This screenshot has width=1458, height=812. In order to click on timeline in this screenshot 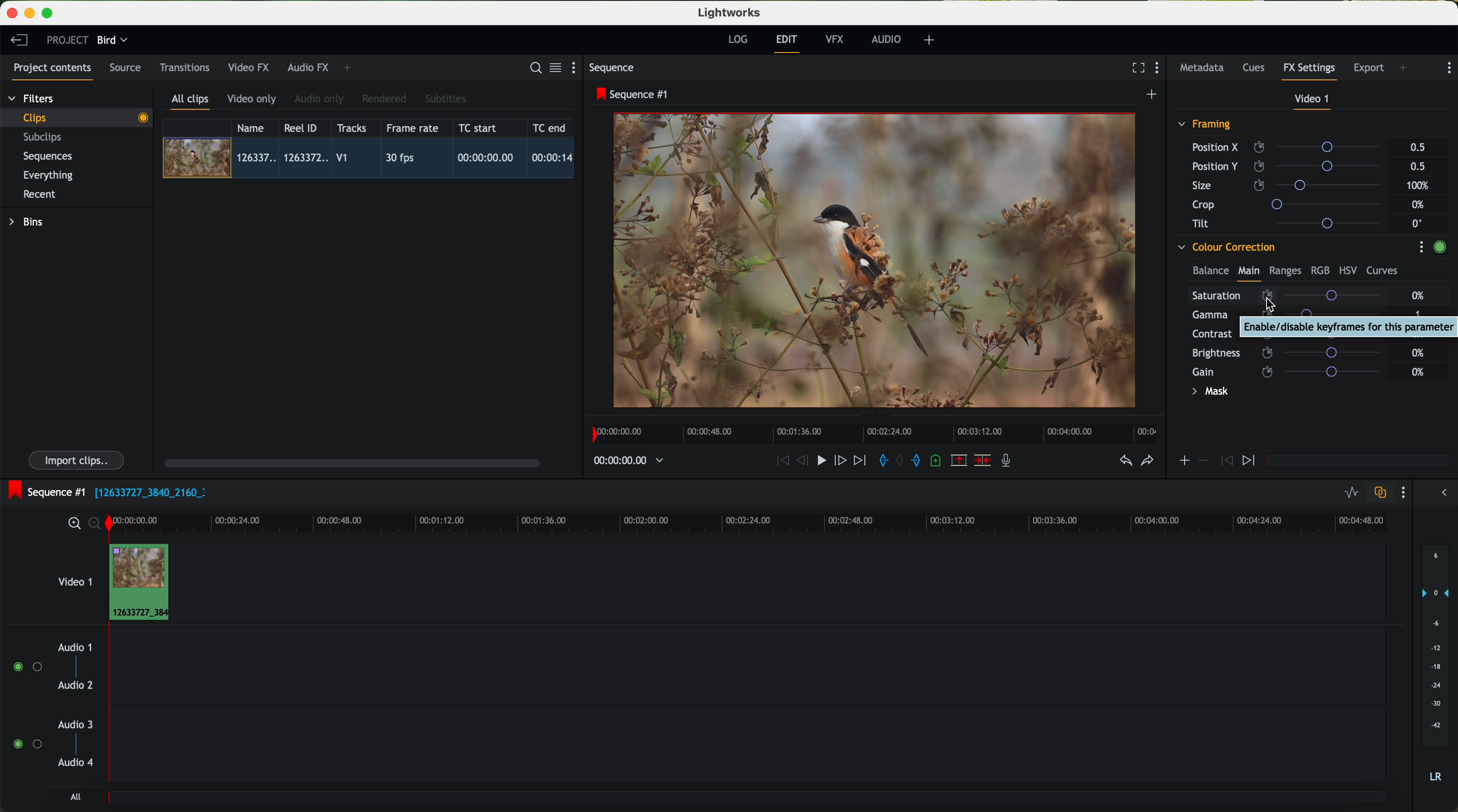, I will do `click(623, 461)`.